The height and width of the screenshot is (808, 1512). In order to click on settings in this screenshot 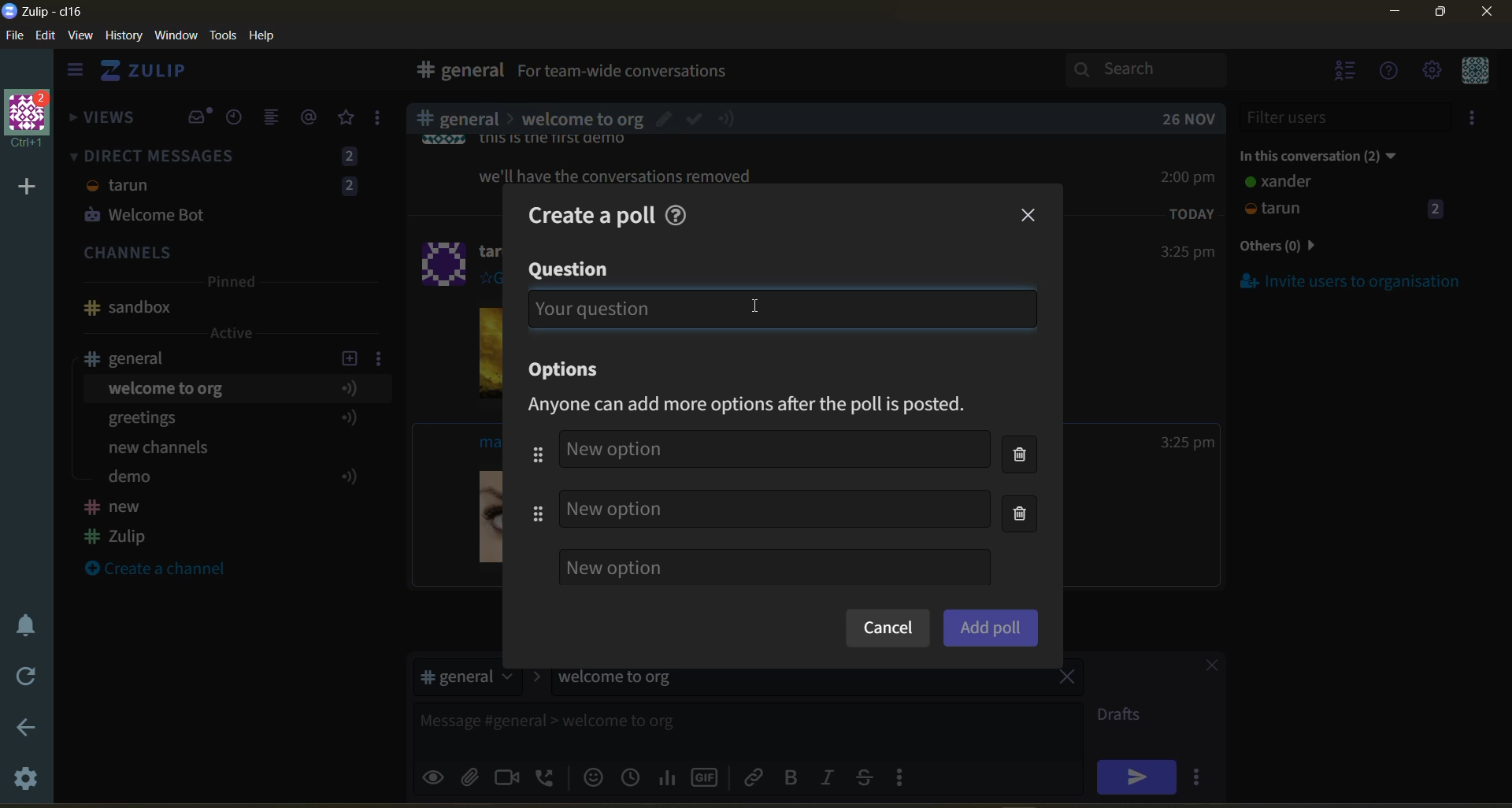, I will do `click(28, 781)`.